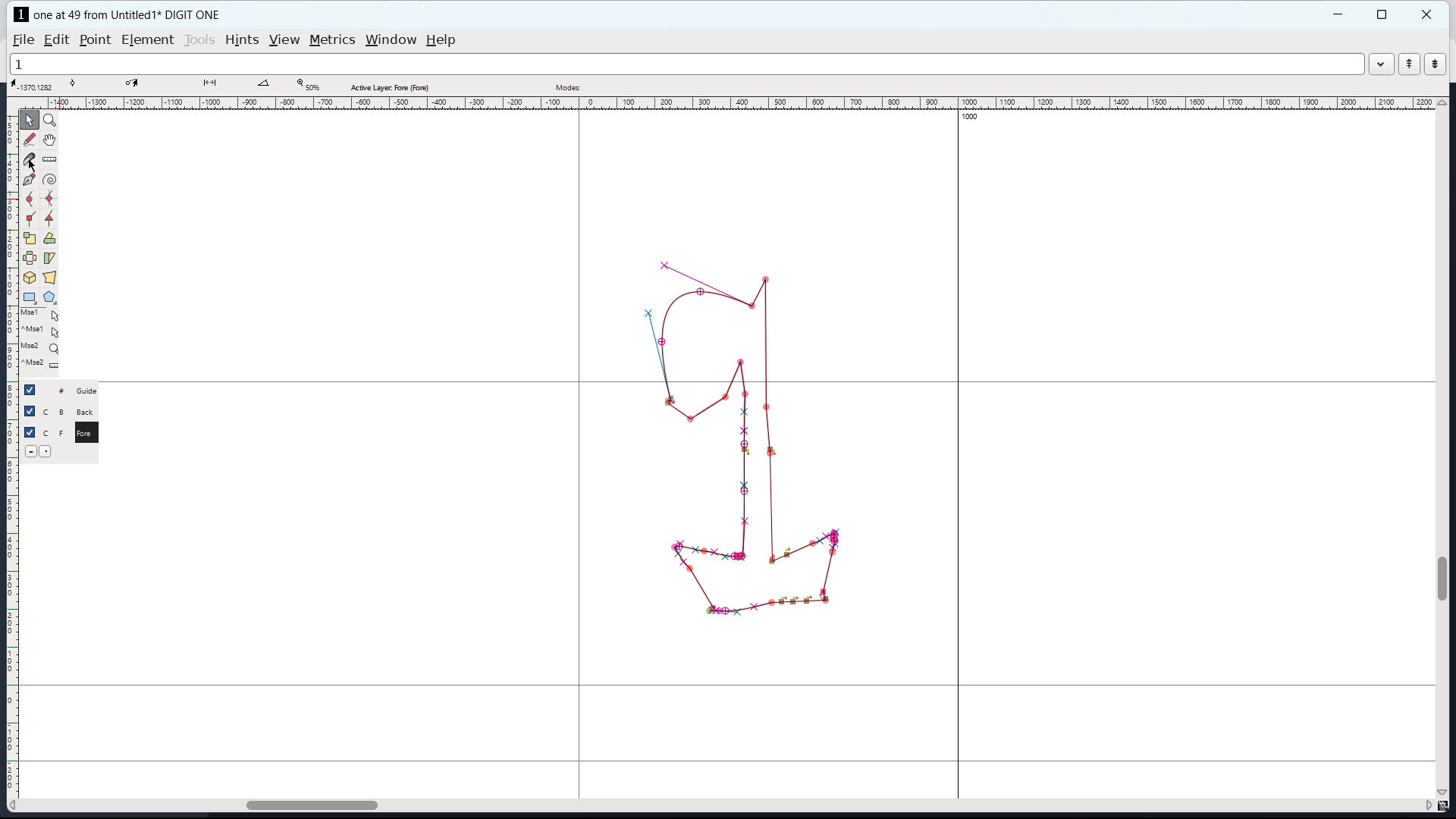  I want to click on element, so click(147, 39).